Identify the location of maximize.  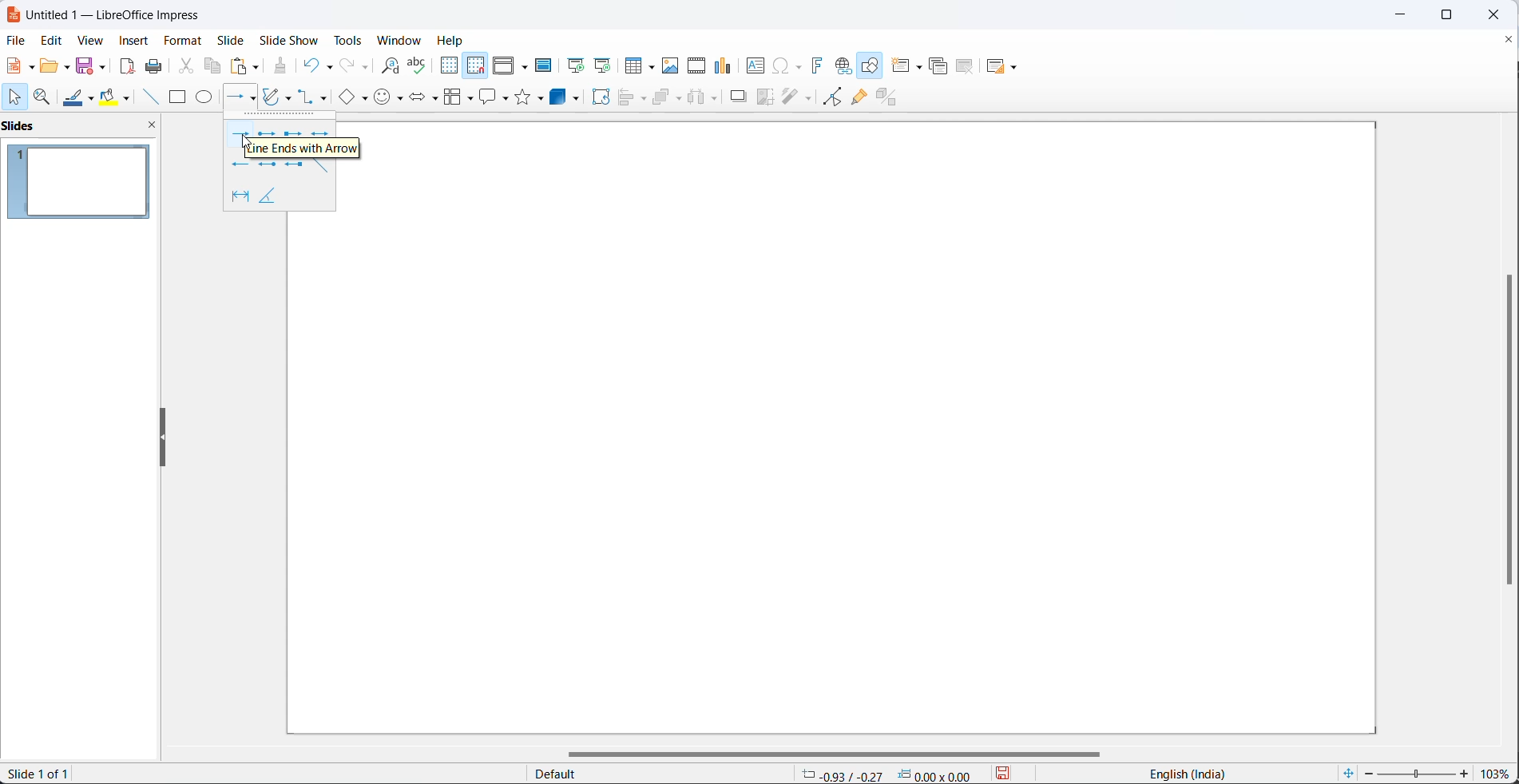
(1457, 14).